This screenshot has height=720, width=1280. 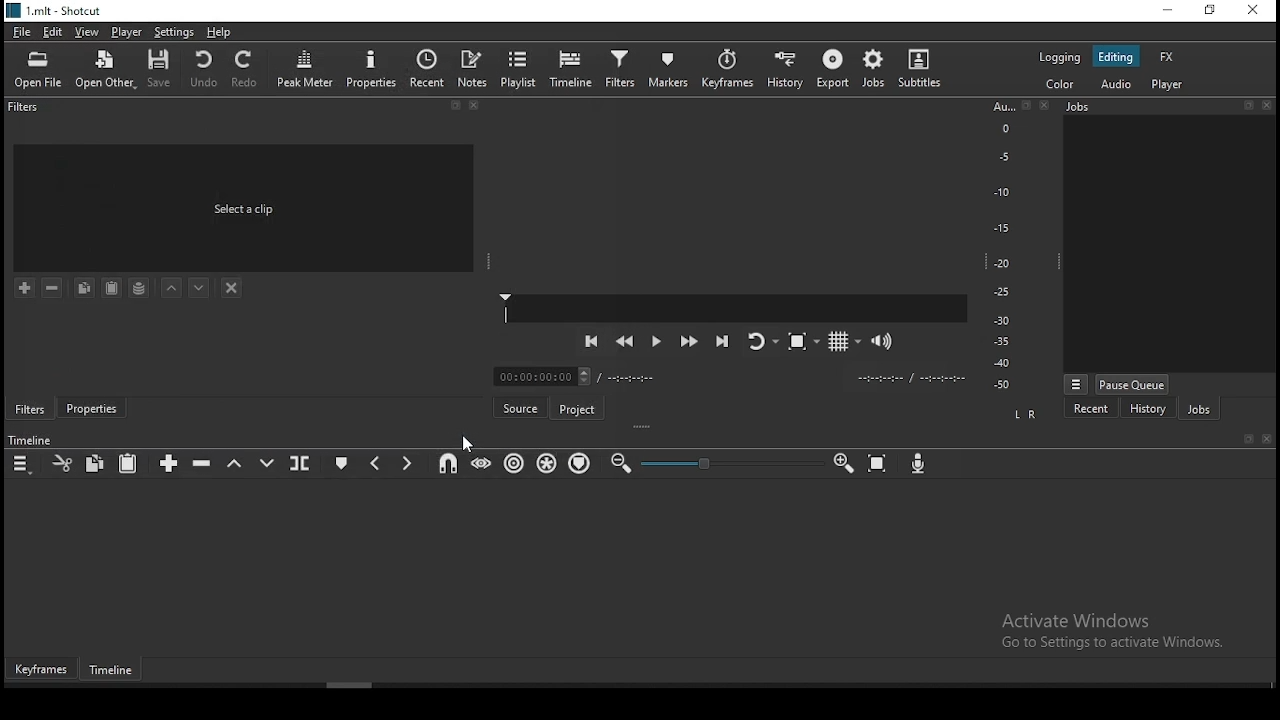 I want to click on comments, so click(x=247, y=207).